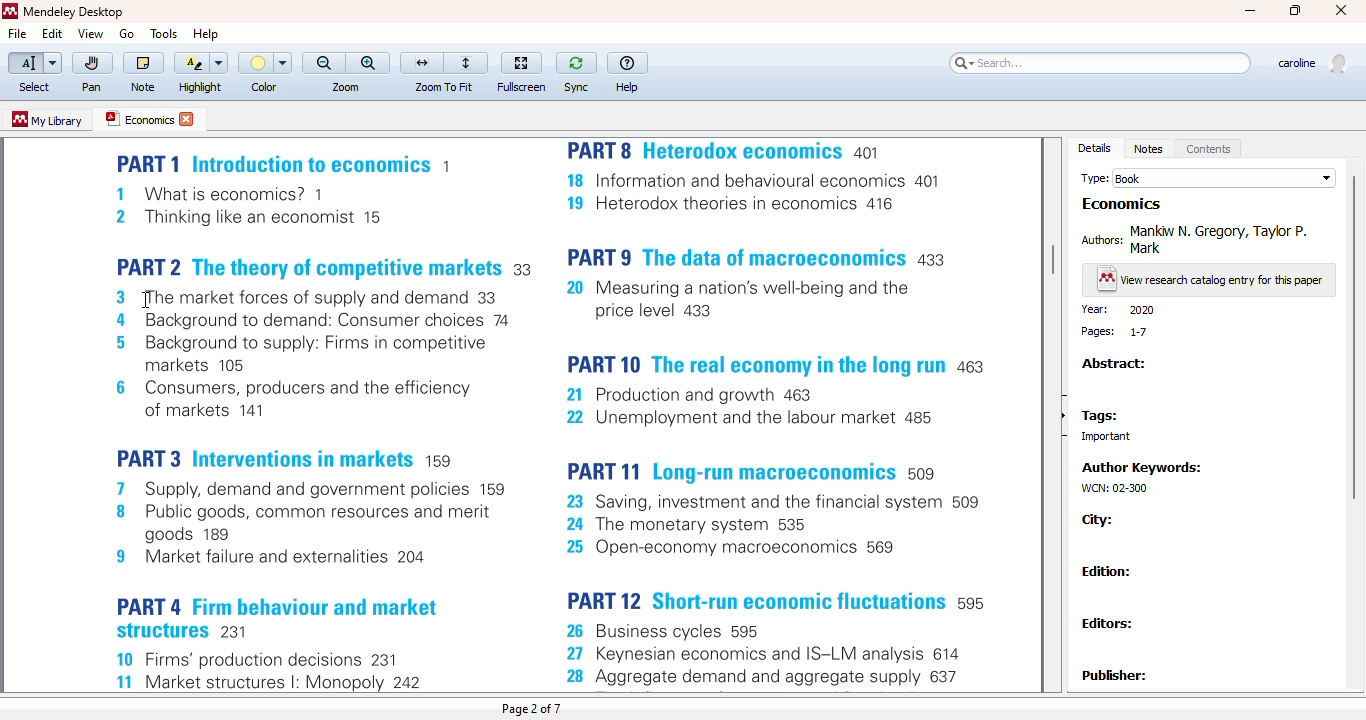 Image resolution: width=1366 pixels, height=720 pixels. Describe the element at coordinates (1251, 11) in the screenshot. I see `minimize` at that location.